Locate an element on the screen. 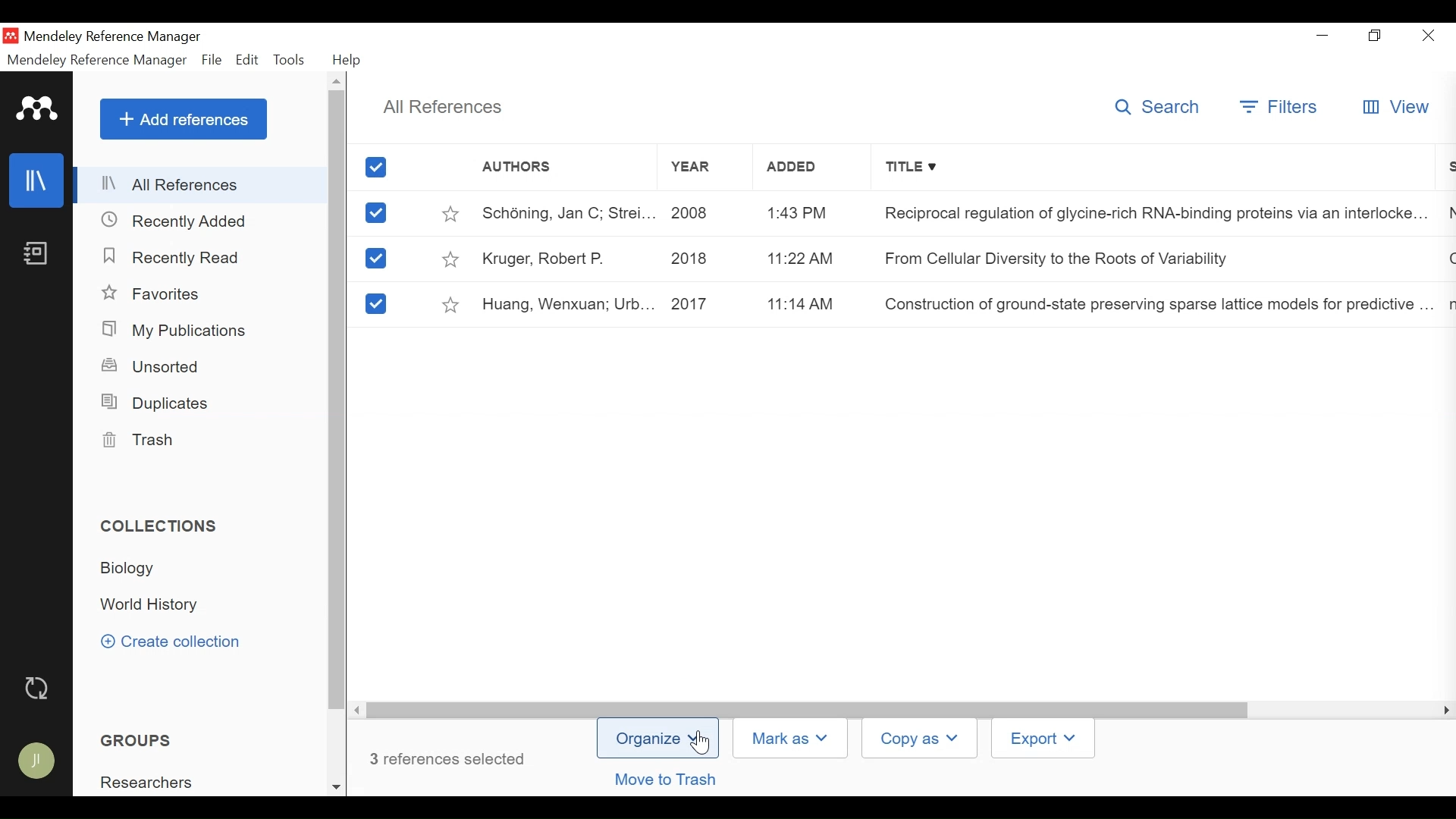 The height and width of the screenshot is (819, 1456). 2017 is located at coordinates (704, 303).